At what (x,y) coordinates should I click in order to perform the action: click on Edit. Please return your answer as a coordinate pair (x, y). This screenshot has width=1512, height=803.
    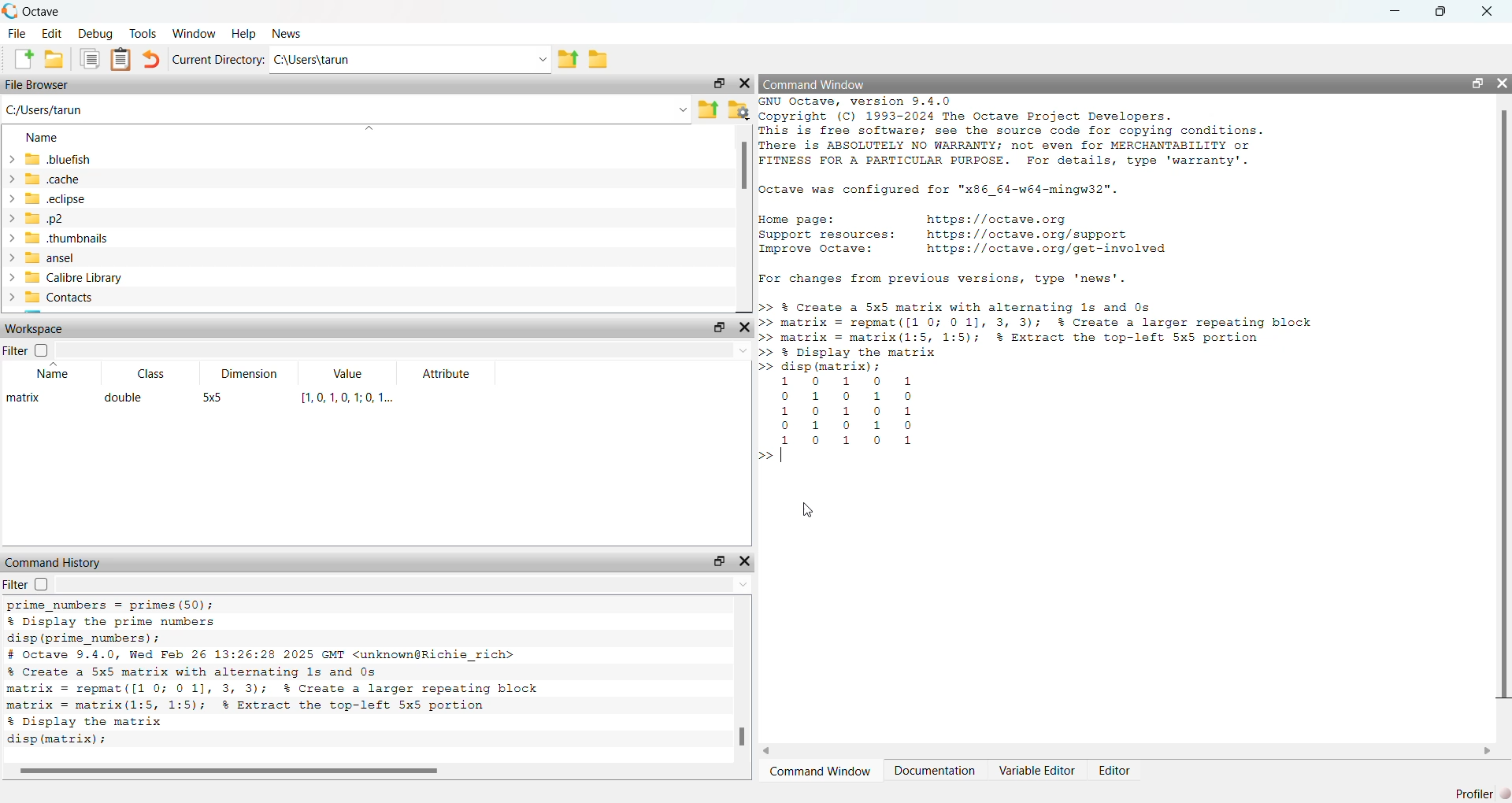
    Looking at the image, I should click on (51, 33).